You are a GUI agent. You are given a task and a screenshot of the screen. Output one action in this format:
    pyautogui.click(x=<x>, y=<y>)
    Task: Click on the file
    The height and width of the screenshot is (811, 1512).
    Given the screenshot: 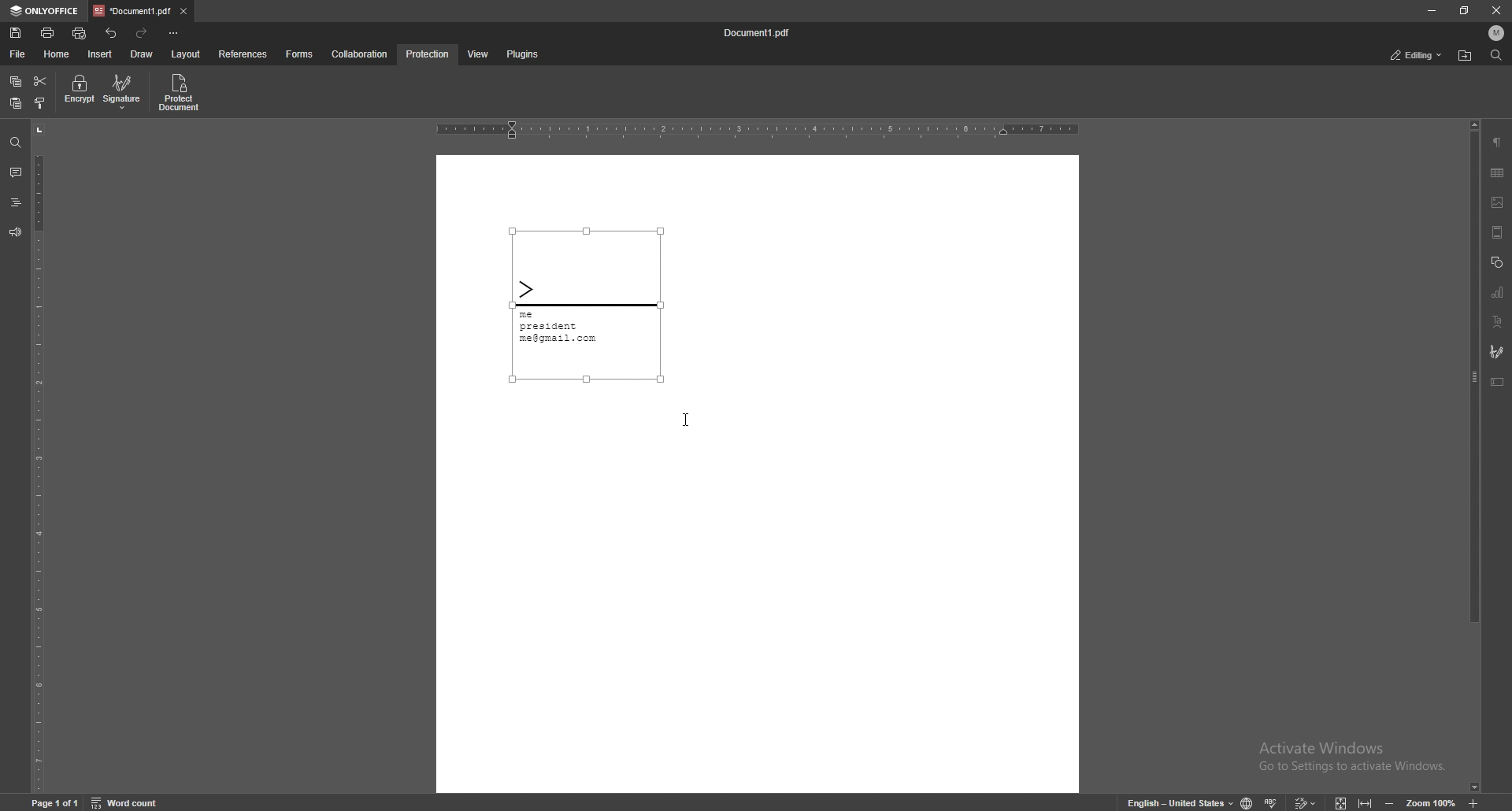 What is the action you would take?
    pyautogui.click(x=19, y=54)
    